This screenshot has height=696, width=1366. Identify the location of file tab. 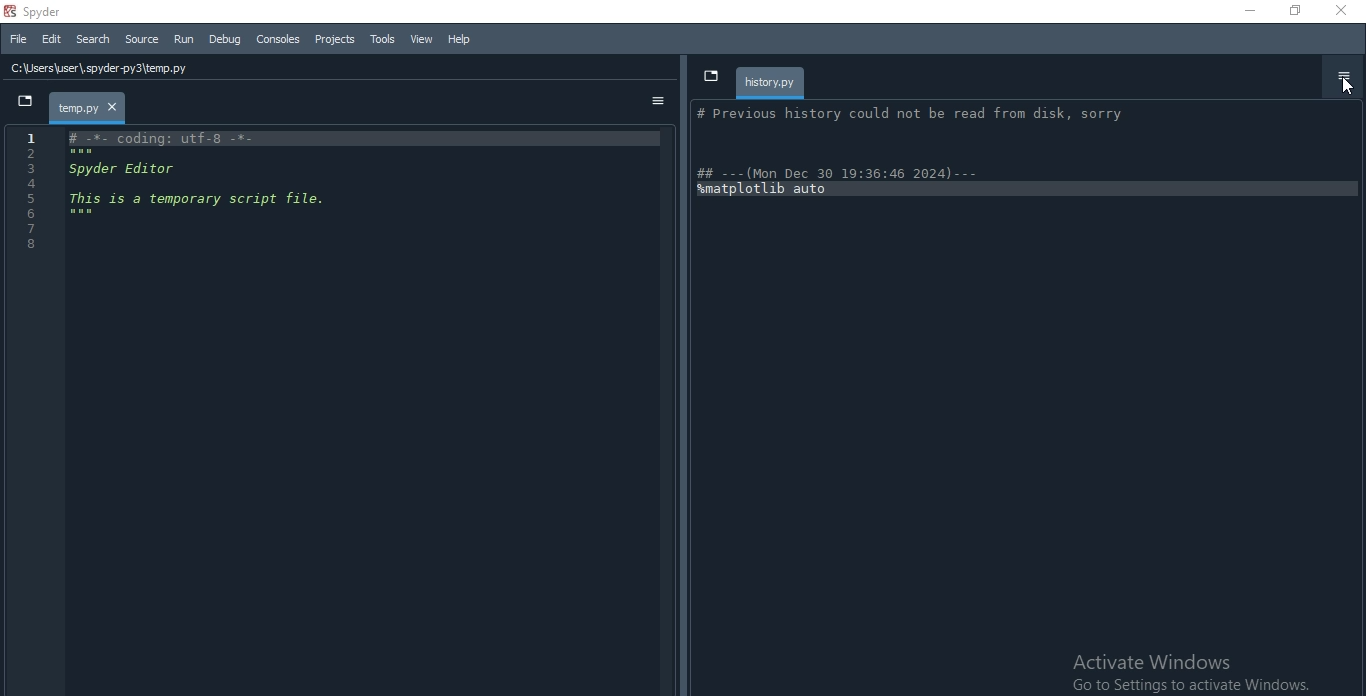
(86, 106).